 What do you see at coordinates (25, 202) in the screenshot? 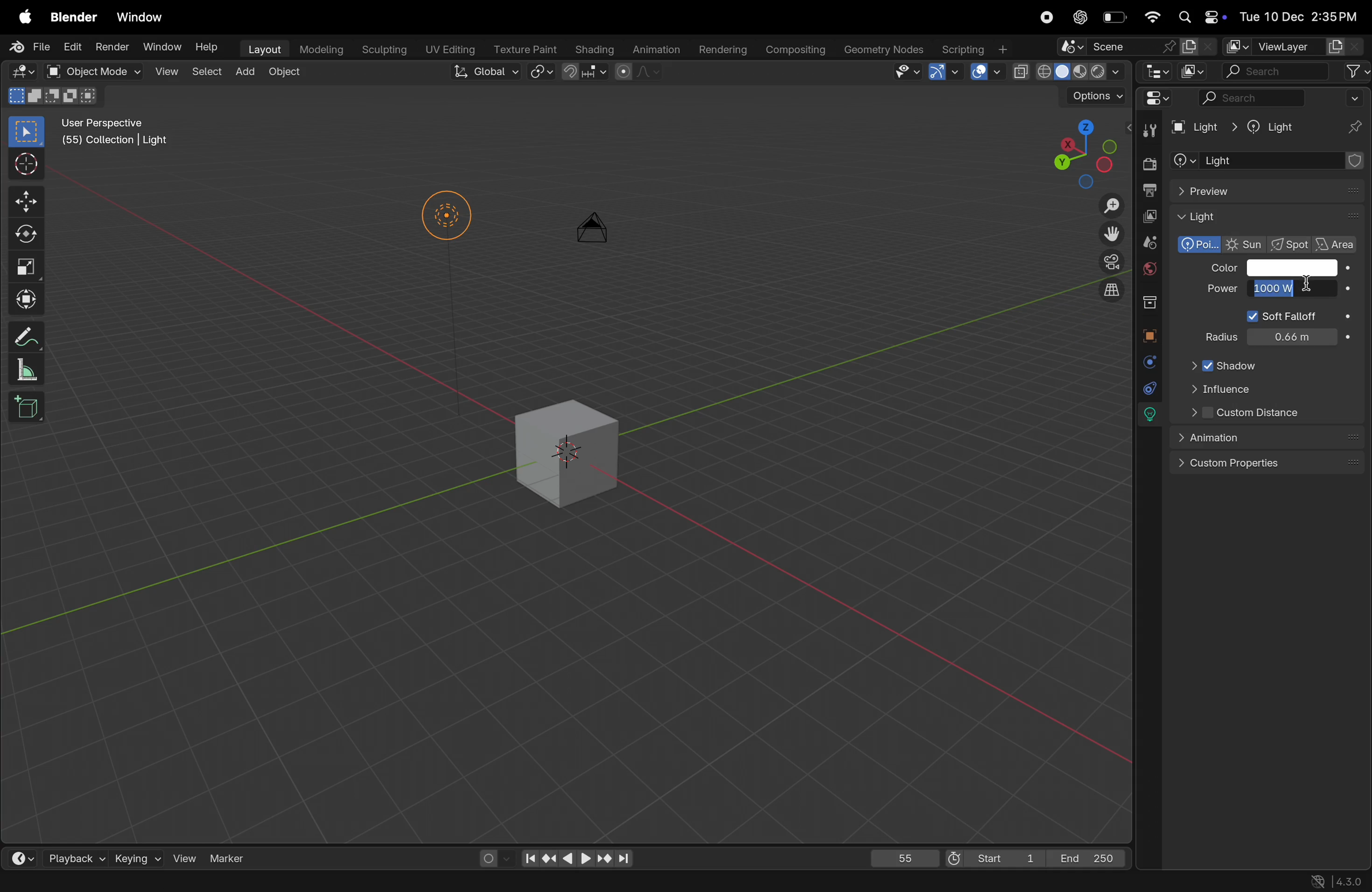
I see `move` at bounding box center [25, 202].